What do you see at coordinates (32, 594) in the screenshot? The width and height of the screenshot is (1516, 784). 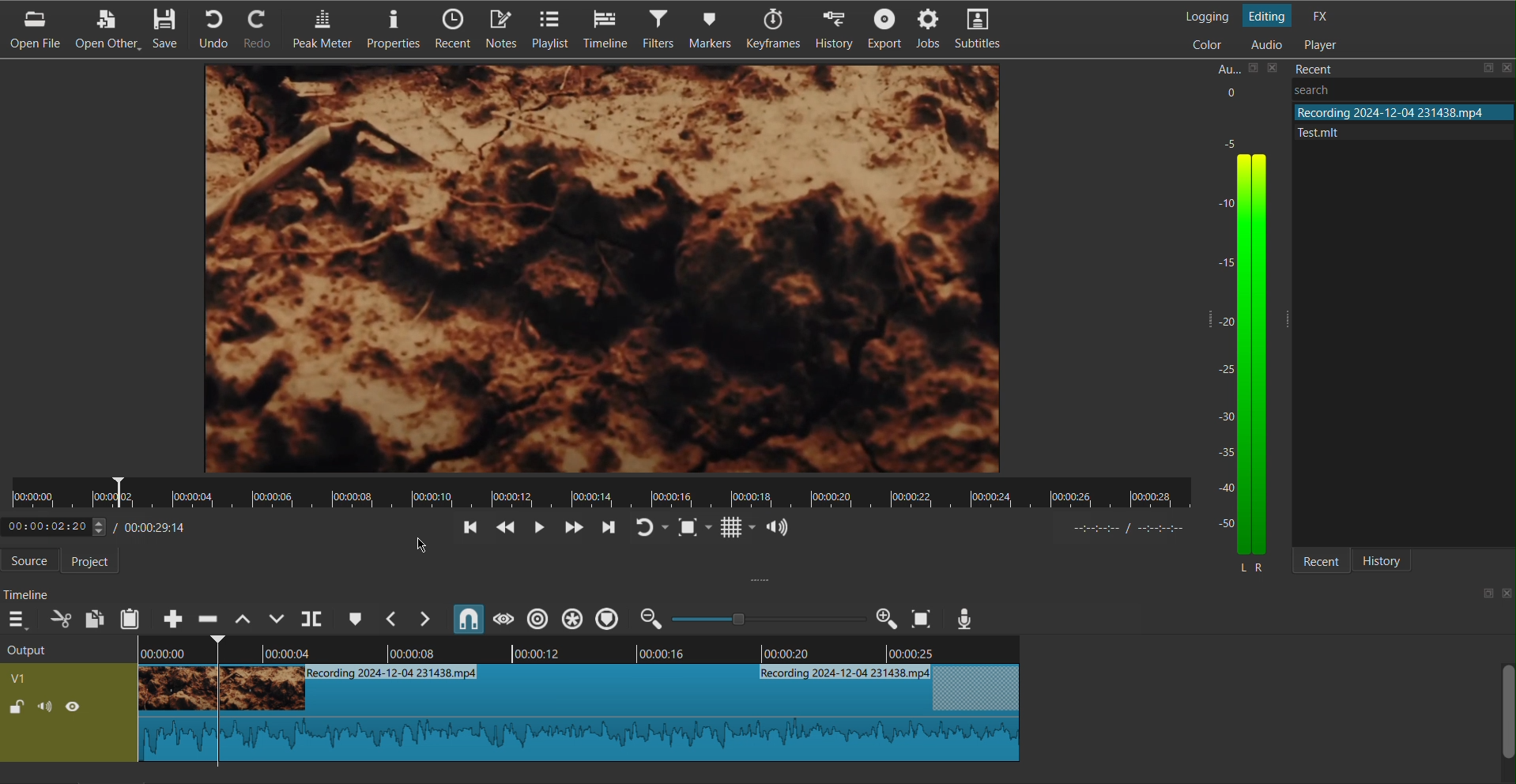 I see `Timeline ` at bounding box center [32, 594].